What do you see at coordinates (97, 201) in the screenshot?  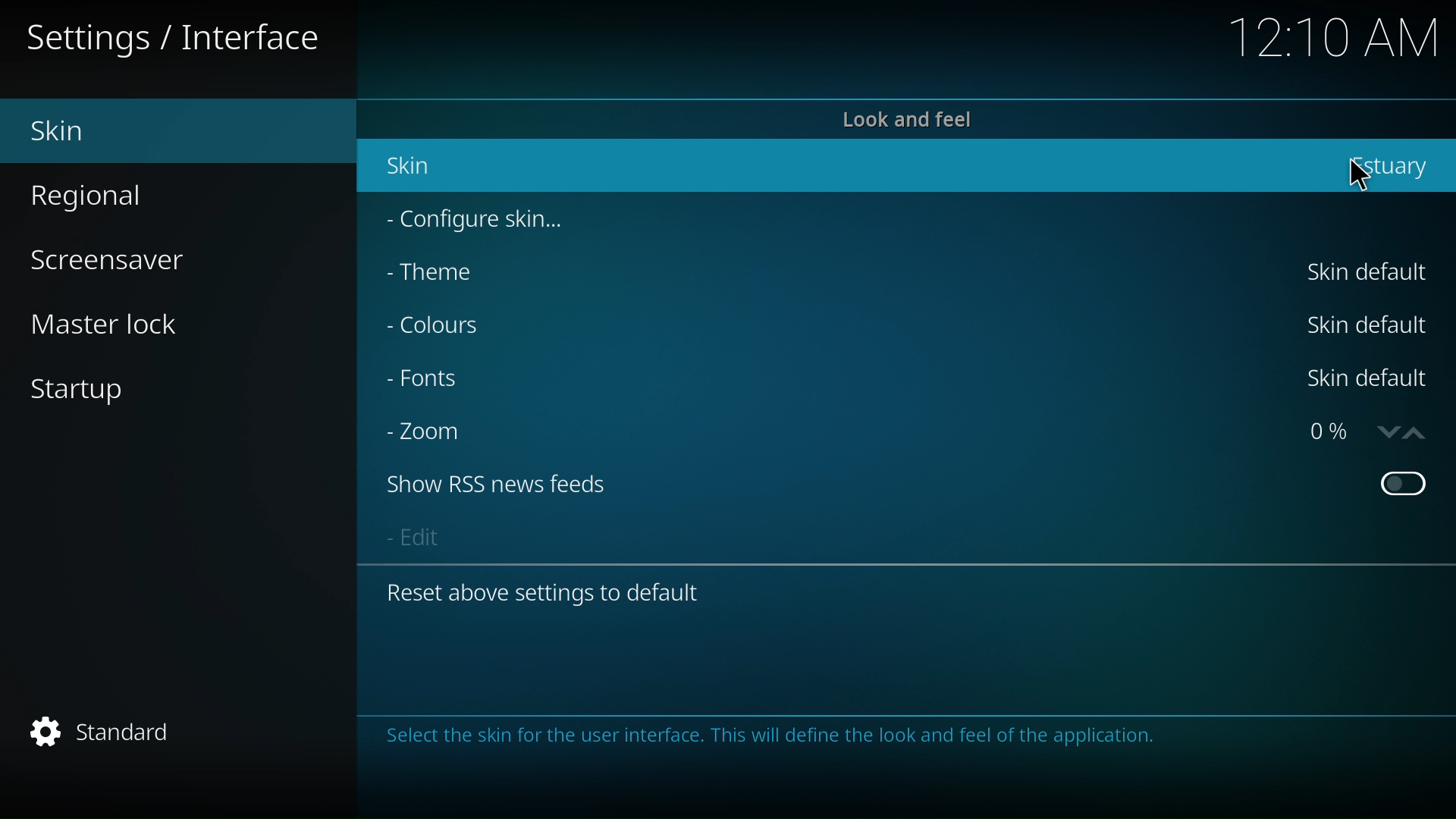 I see `regional` at bounding box center [97, 201].